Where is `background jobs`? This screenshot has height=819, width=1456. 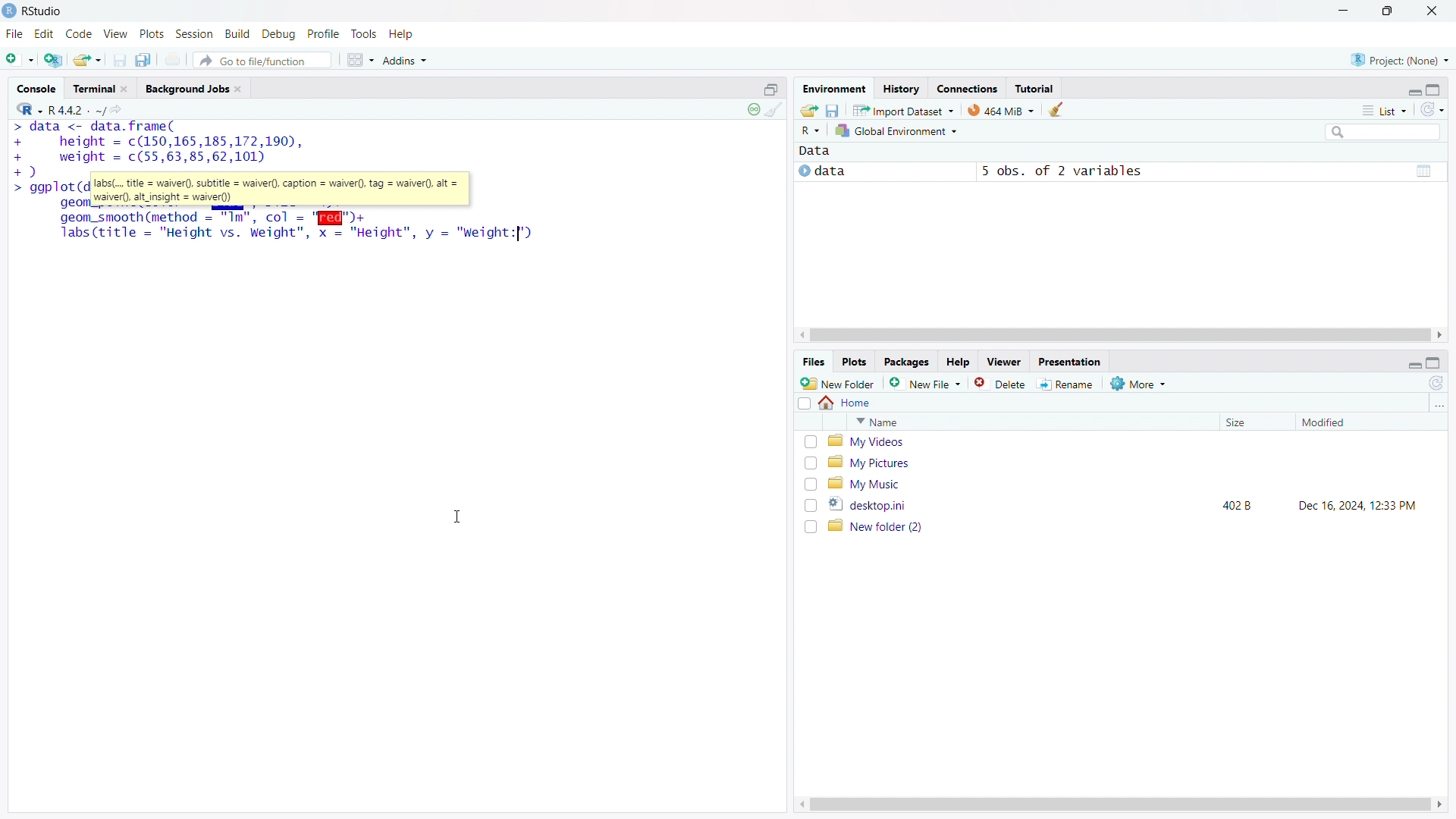 background jobs is located at coordinates (186, 88).